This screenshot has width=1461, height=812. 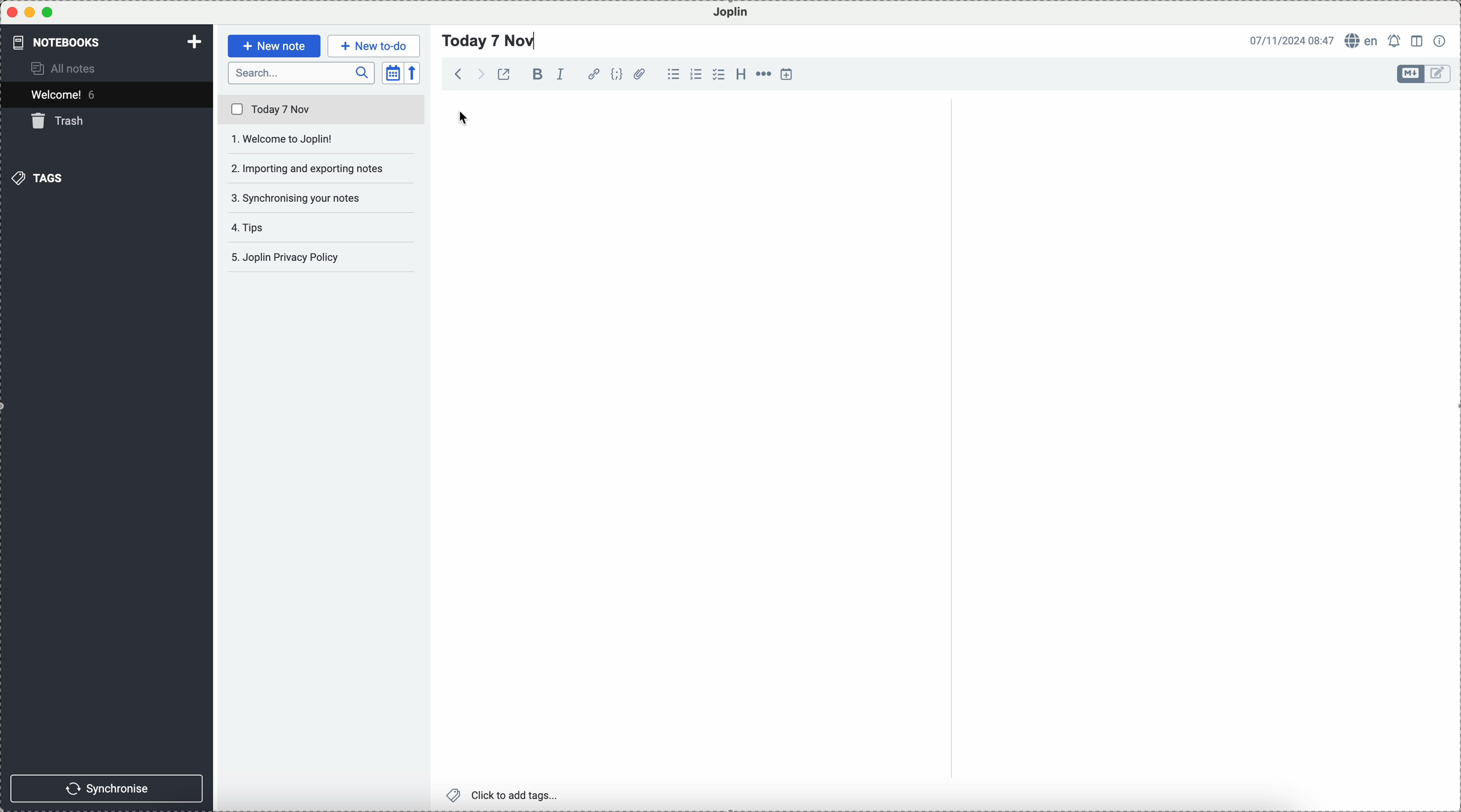 What do you see at coordinates (1411, 74) in the screenshot?
I see `toggle editors` at bounding box center [1411, 74].